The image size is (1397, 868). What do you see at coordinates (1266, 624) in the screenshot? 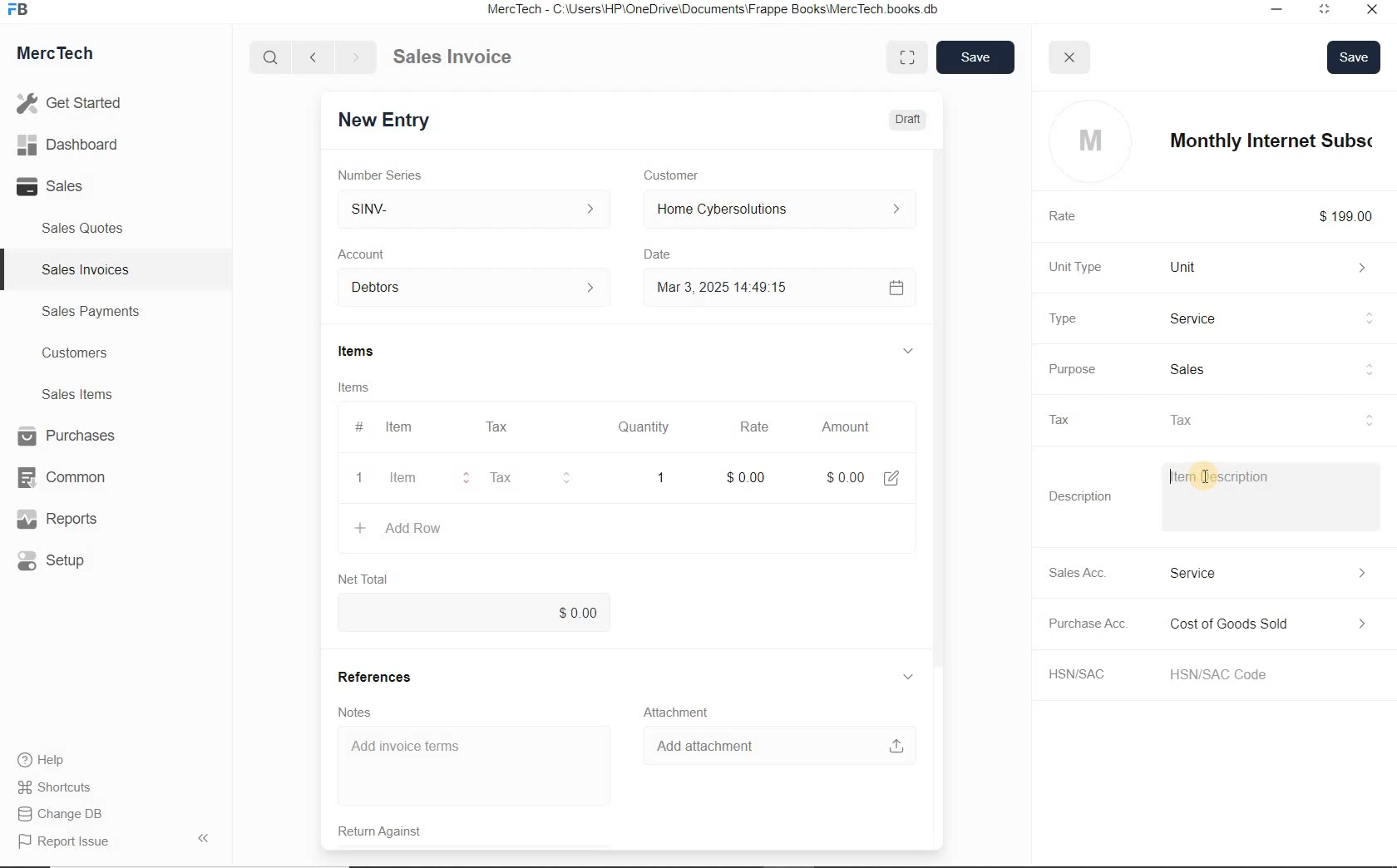
I see `Expense` at bounding box center [1266, 624].